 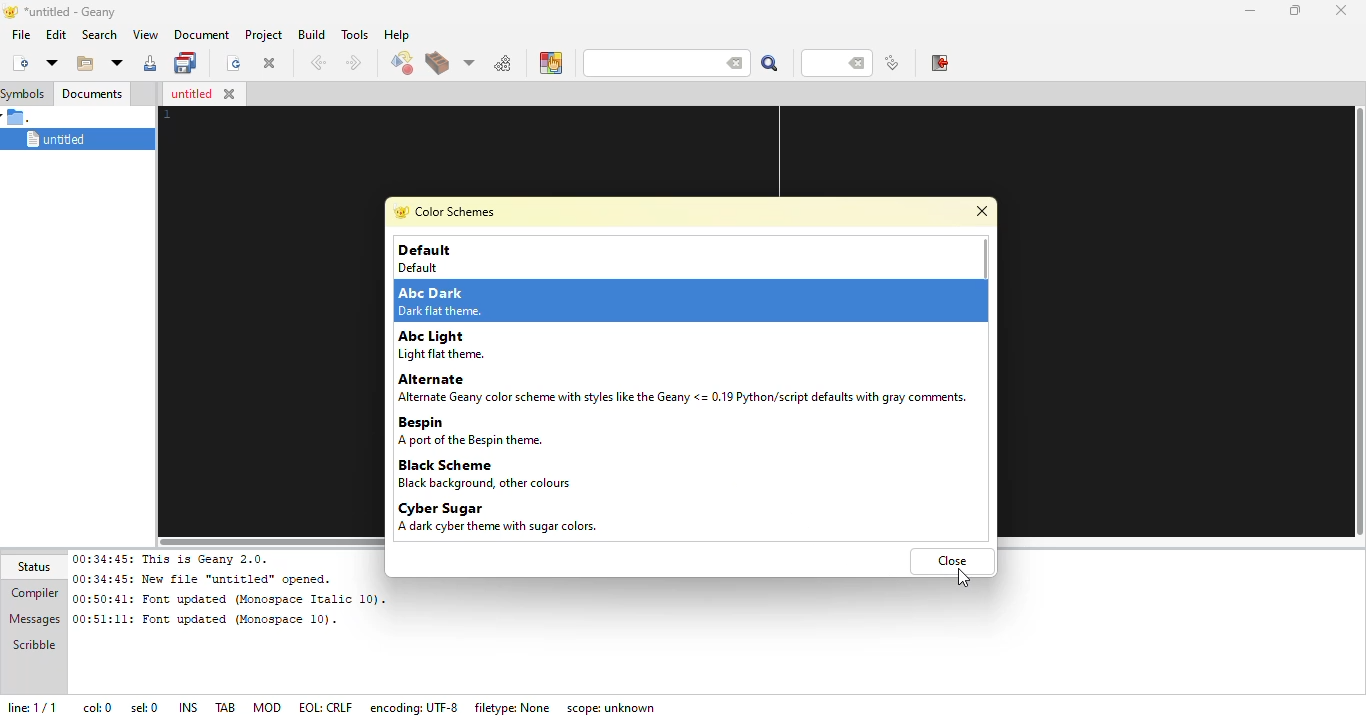 What do you see at coordinates (267, 535) in the screenshot?
I see `horizontal scroll bar` at bounding box center [267, 535].